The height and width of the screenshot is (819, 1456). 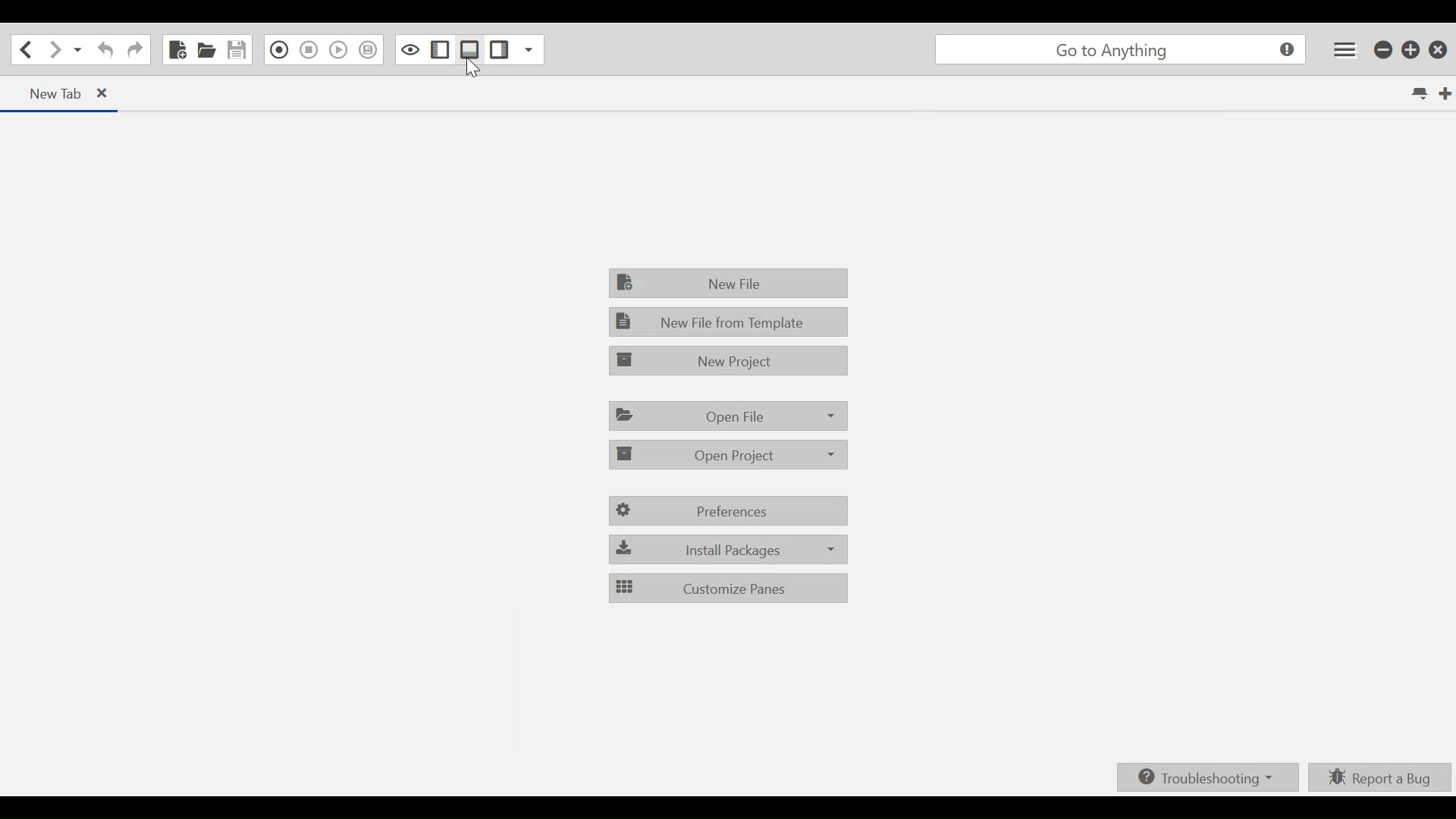 What do you see at coordinates (498, 50) in the screenshot?
I see `Show/Hide Right Pane` at bounding box center [498, 50].